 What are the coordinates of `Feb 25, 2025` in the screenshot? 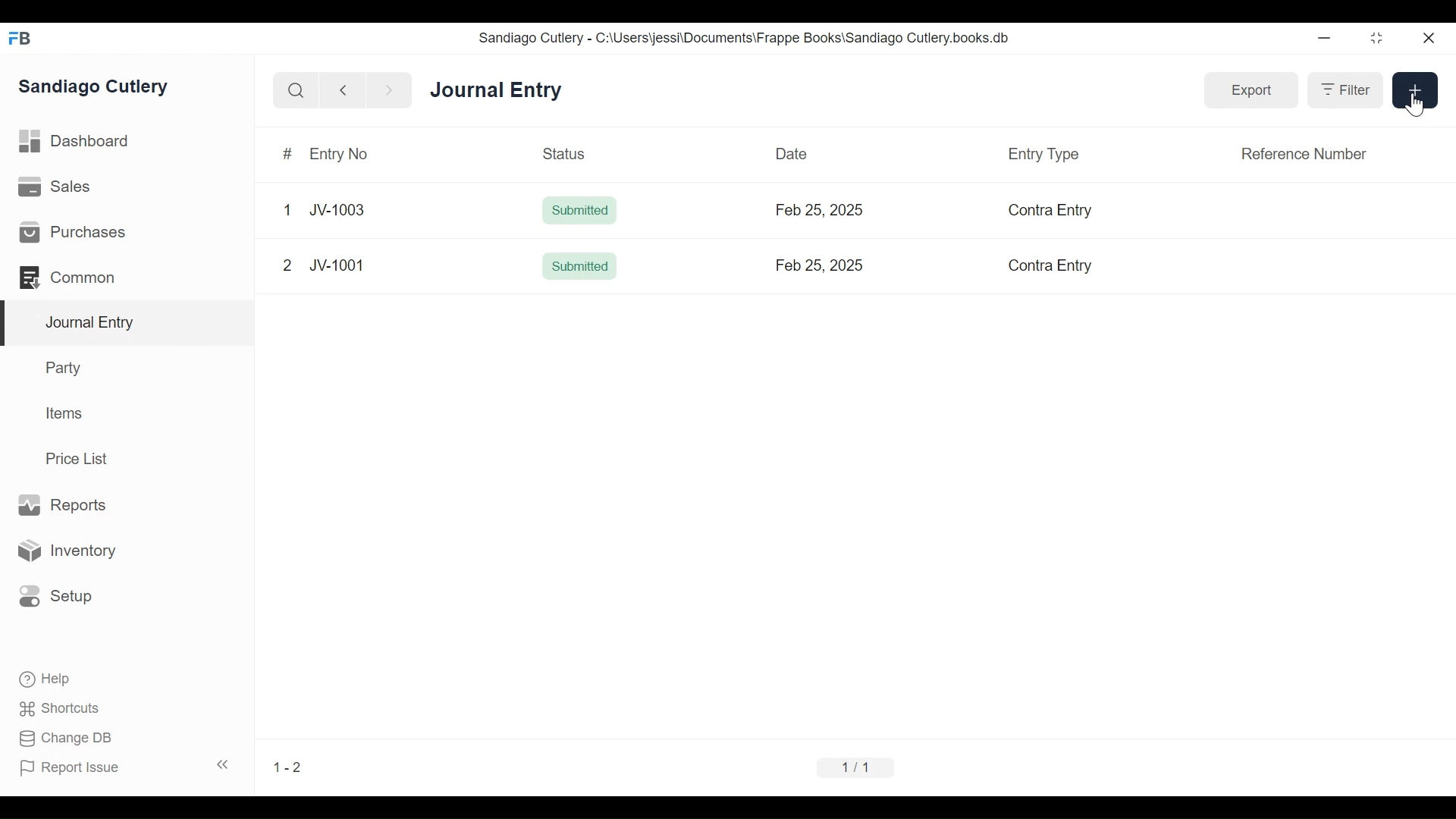 It's located at (819, 265).